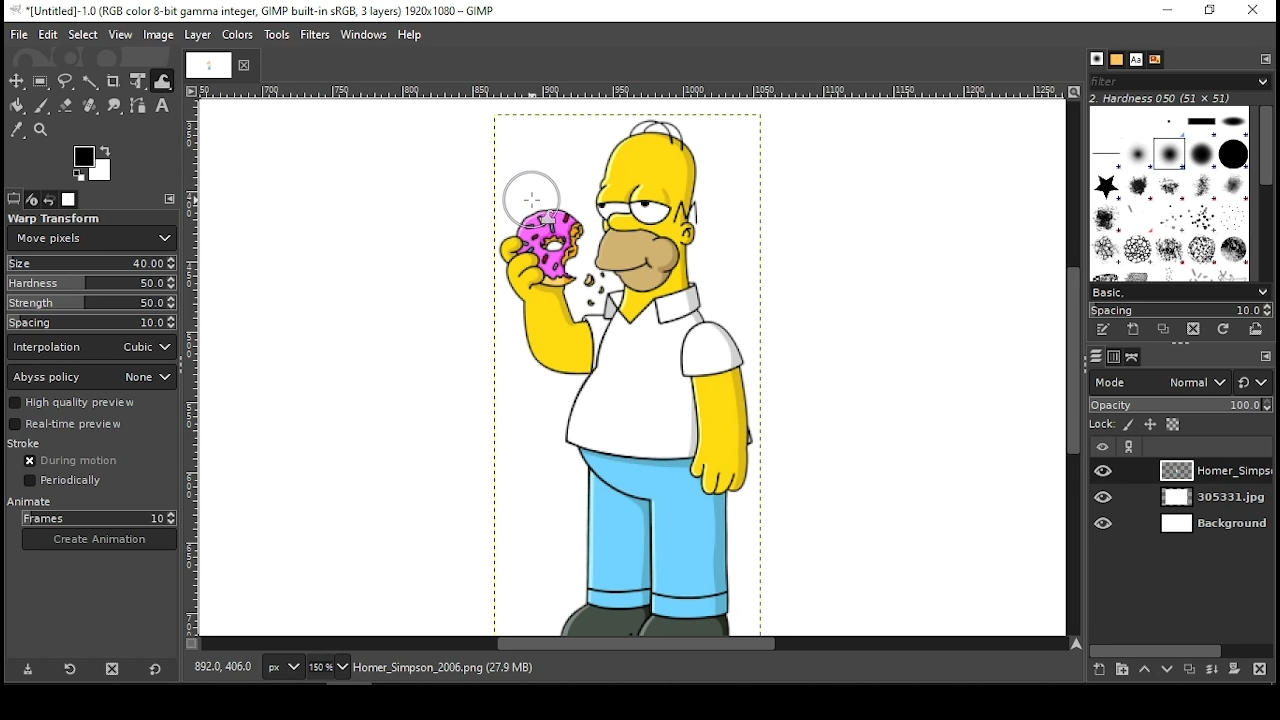 This screenshot has width=1280, height=720. What do you see at coordinates (1193, 329) in the screenshot?
I see `delete brush` at bounding box center [1193, 329].